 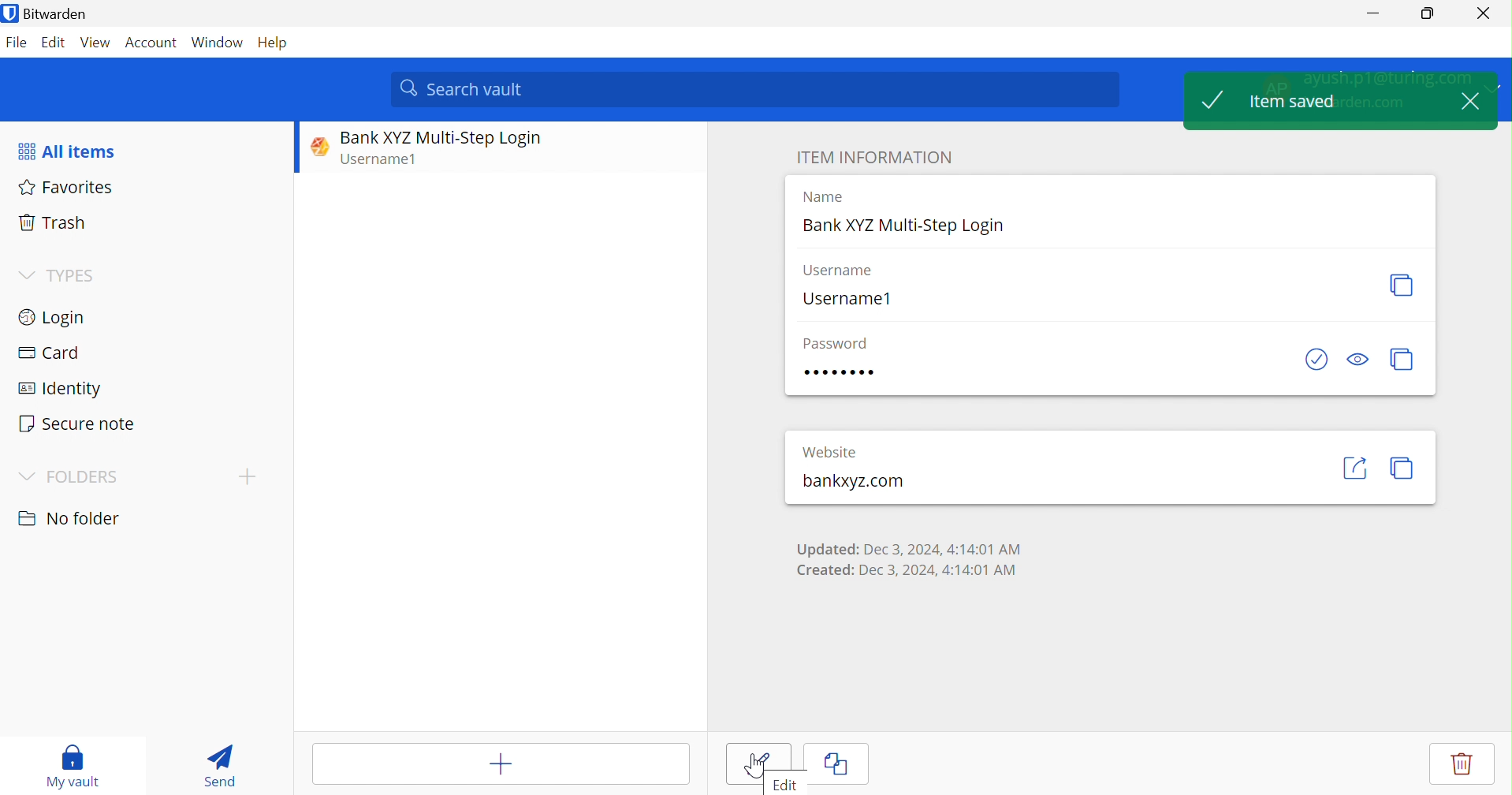 I want to click on Close, so click(x=1472, y=100).